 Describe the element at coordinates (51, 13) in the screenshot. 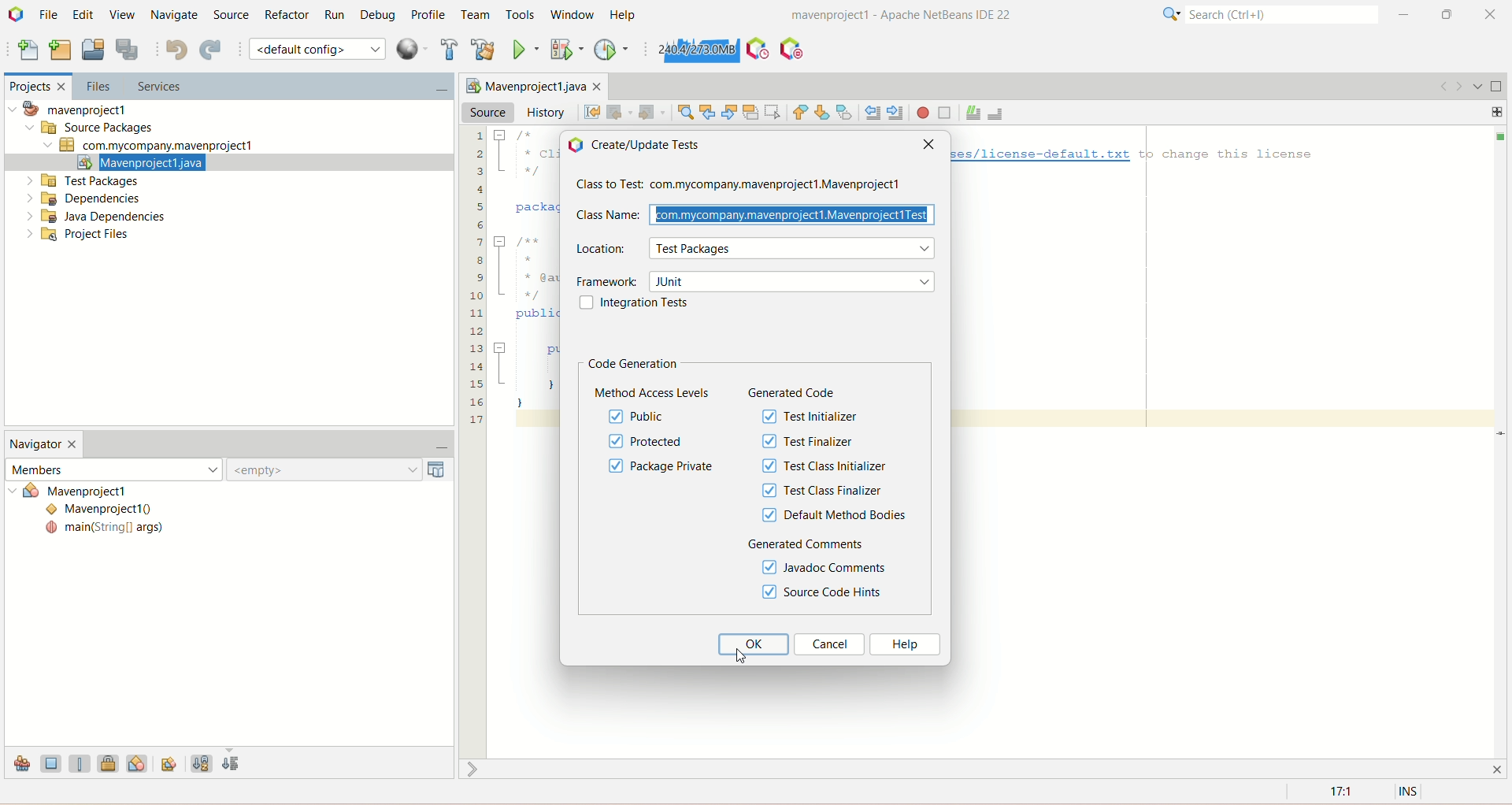

I see `file` at that location.